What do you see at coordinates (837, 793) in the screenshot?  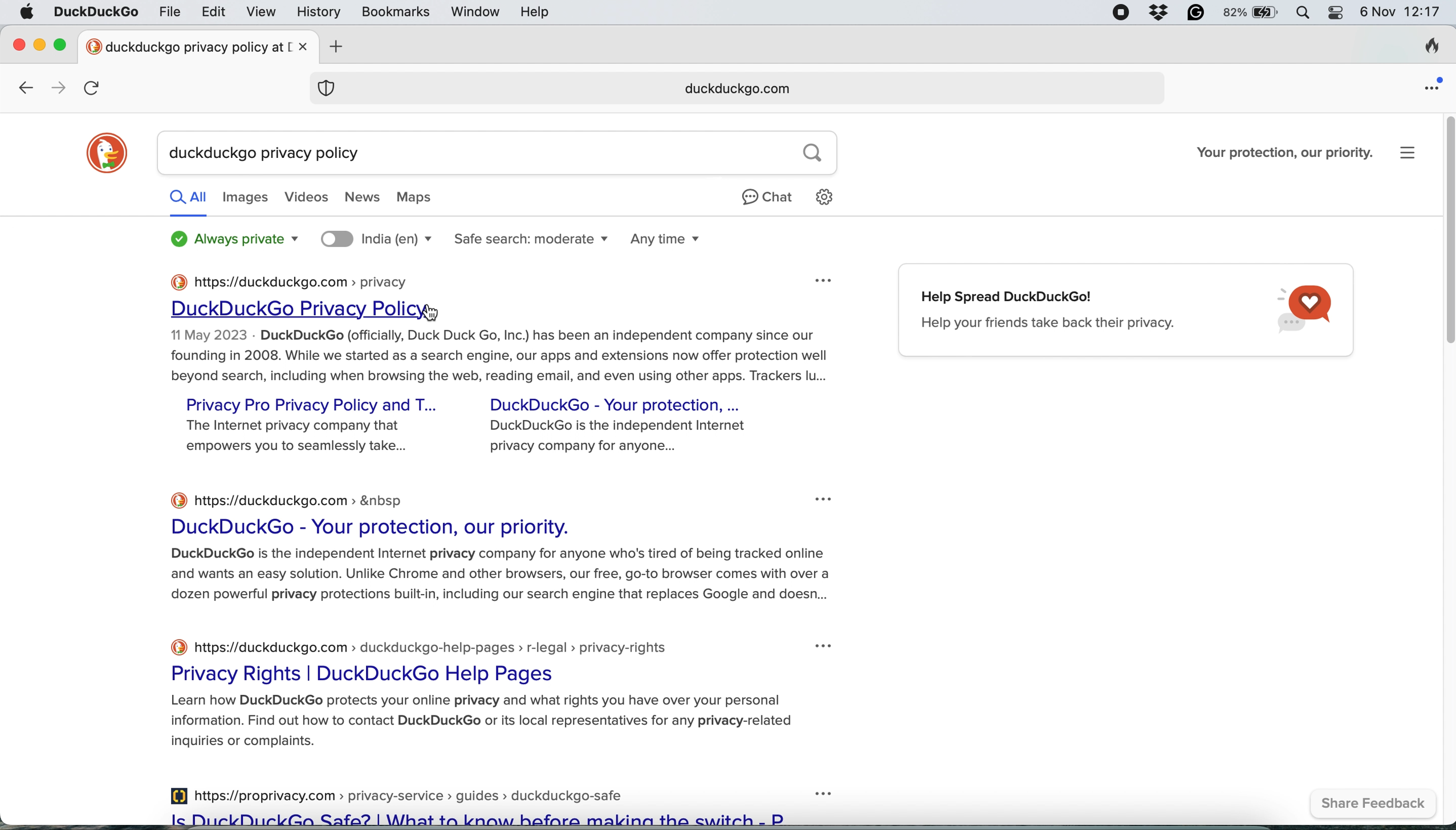 I see `three dot icon` at bounding box center [837, 793].